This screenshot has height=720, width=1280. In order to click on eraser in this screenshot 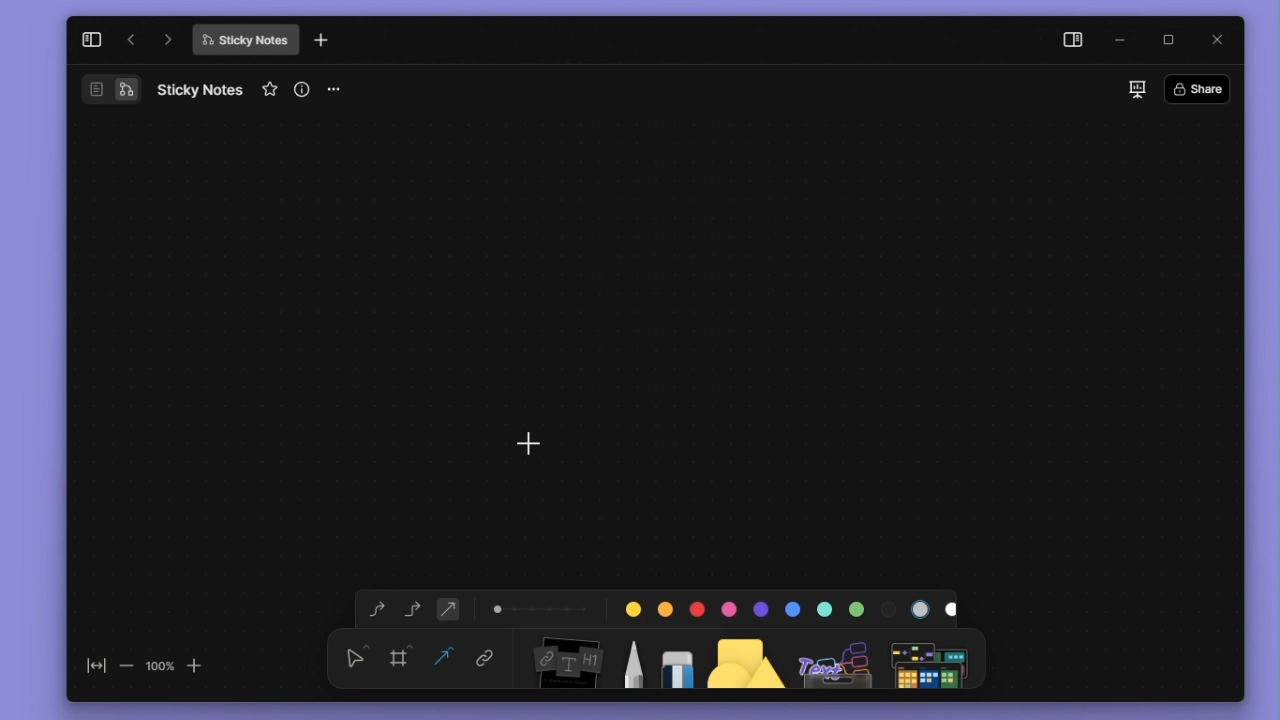, I will do `click(673, 657)`.